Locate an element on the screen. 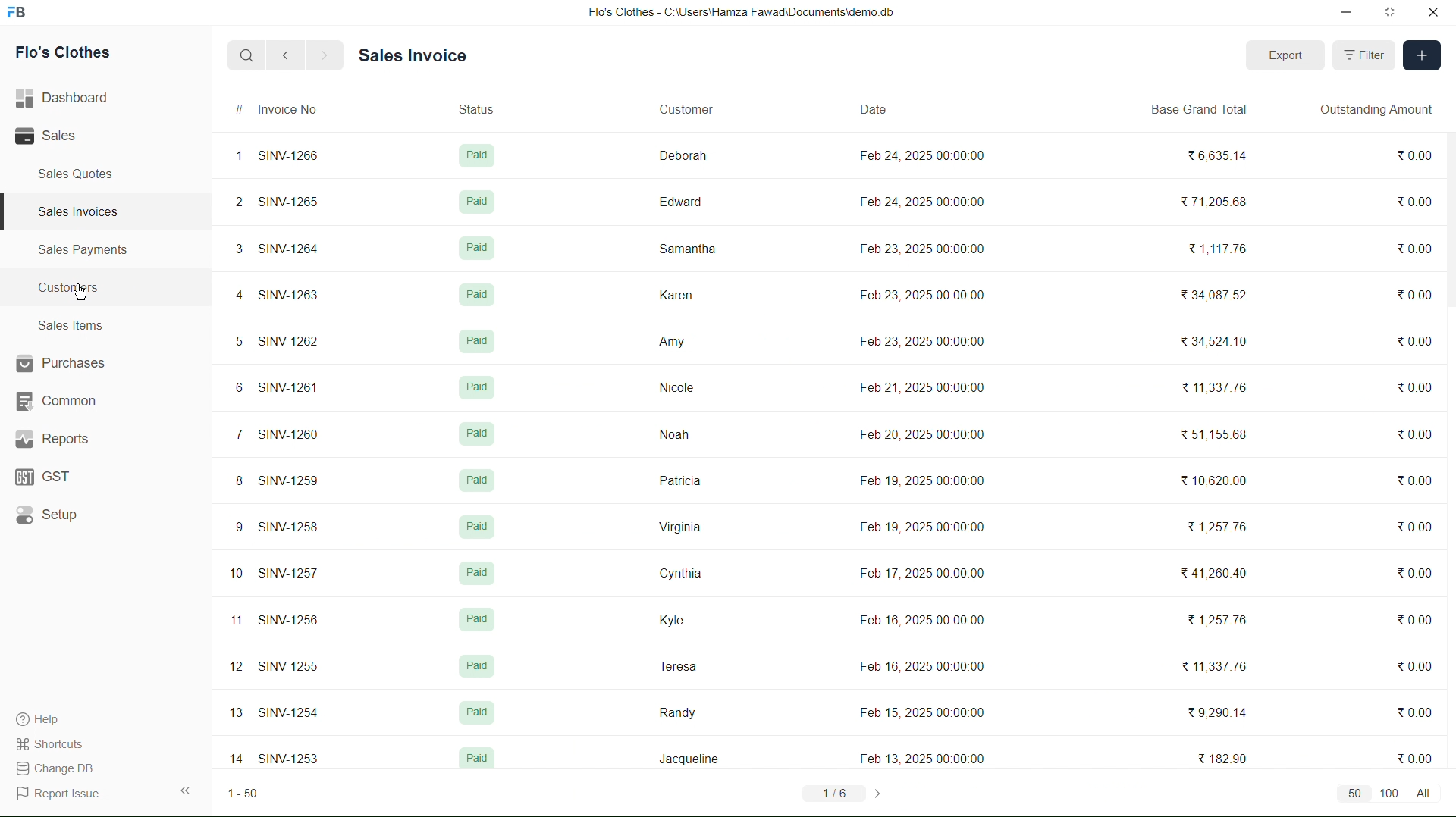  Kyle is located at coordinates (670, 620).